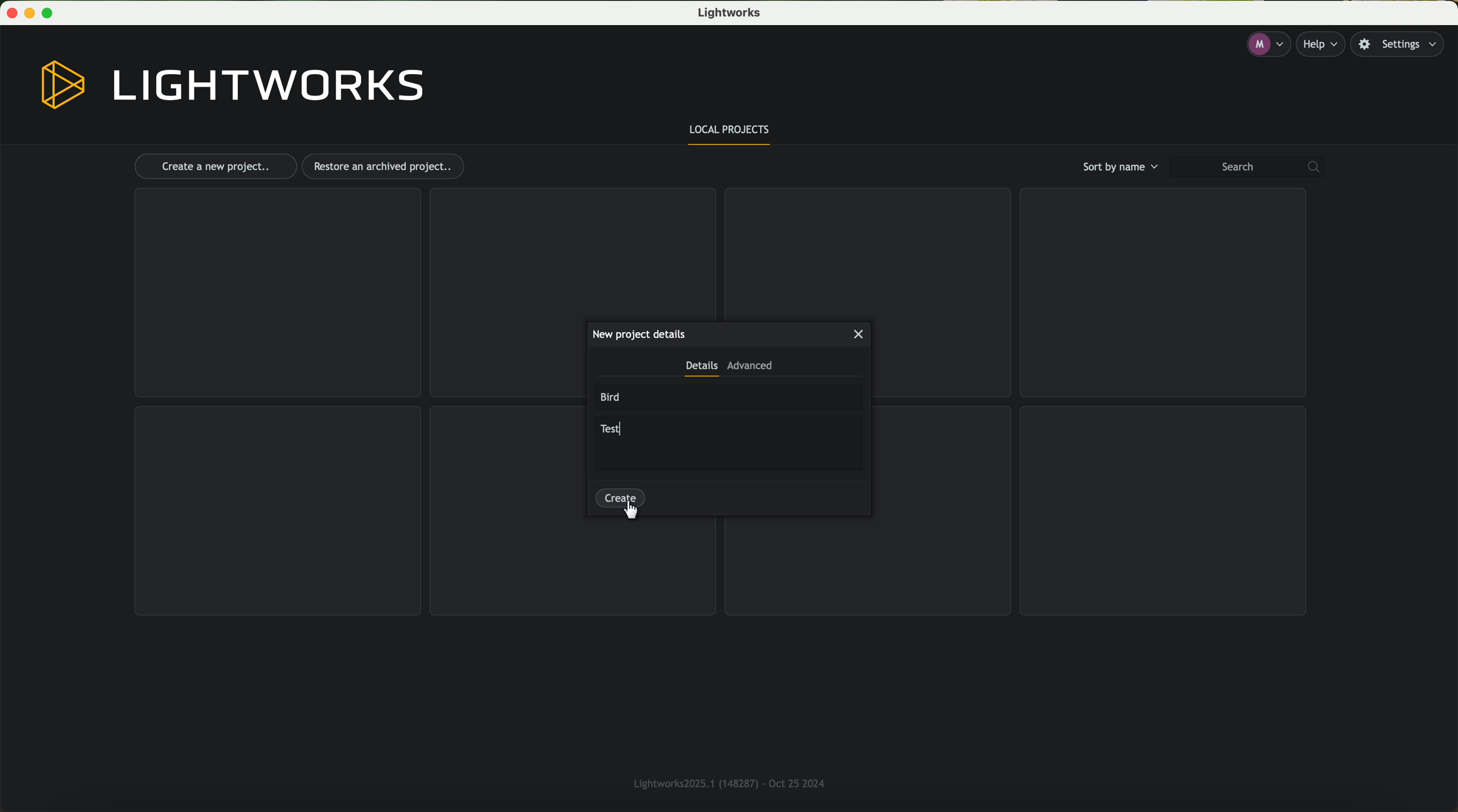 This screenshot has height=812, width=1458. Describe the element at coordinates (1160, 294) in the screenshot. I see `grid` at that location.